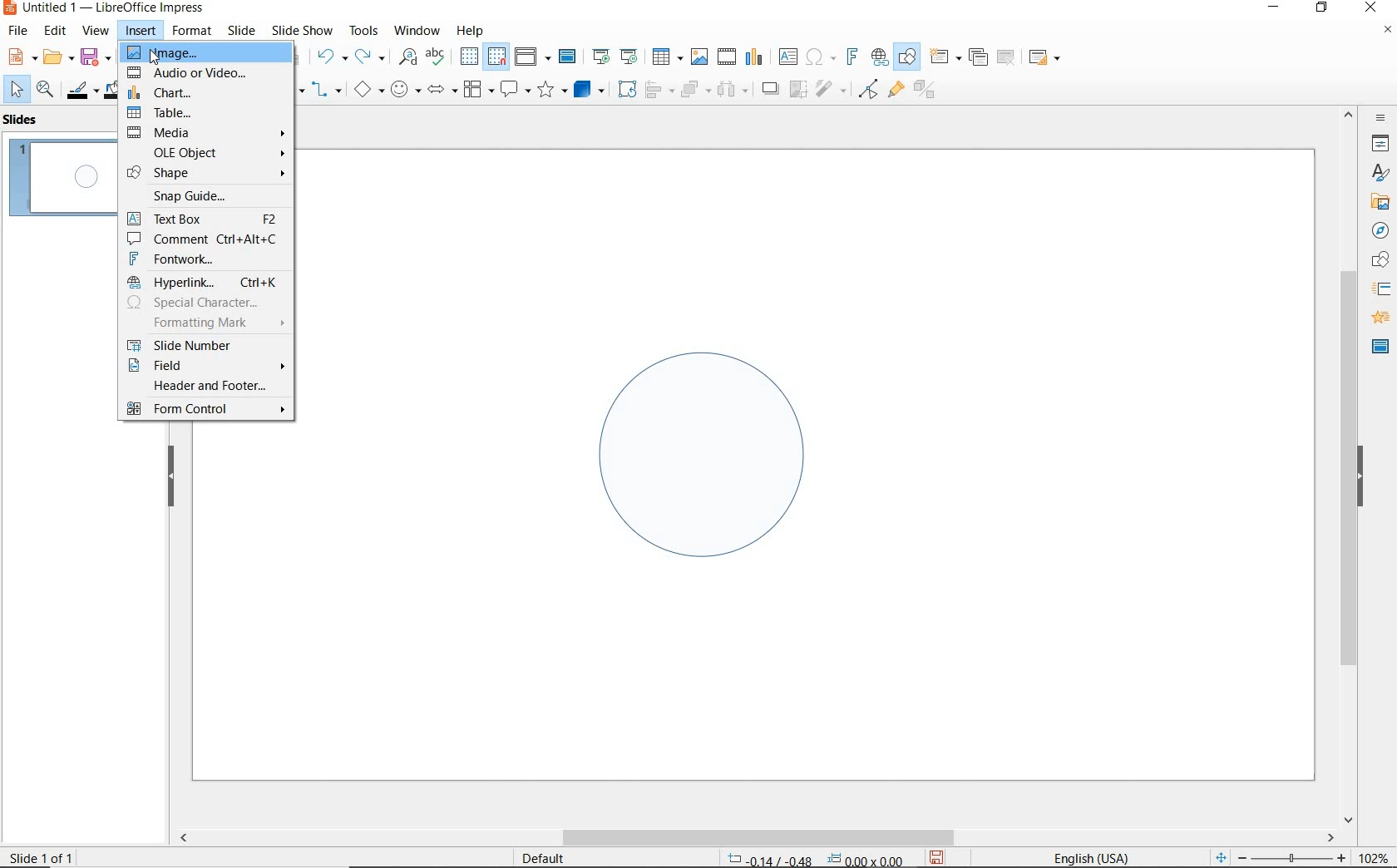 This screenshot has width=1397, height=868. What do you see at coordinates (205, 364) in the screenshot?
I see `FIELD` at bounding box center [205, 364].